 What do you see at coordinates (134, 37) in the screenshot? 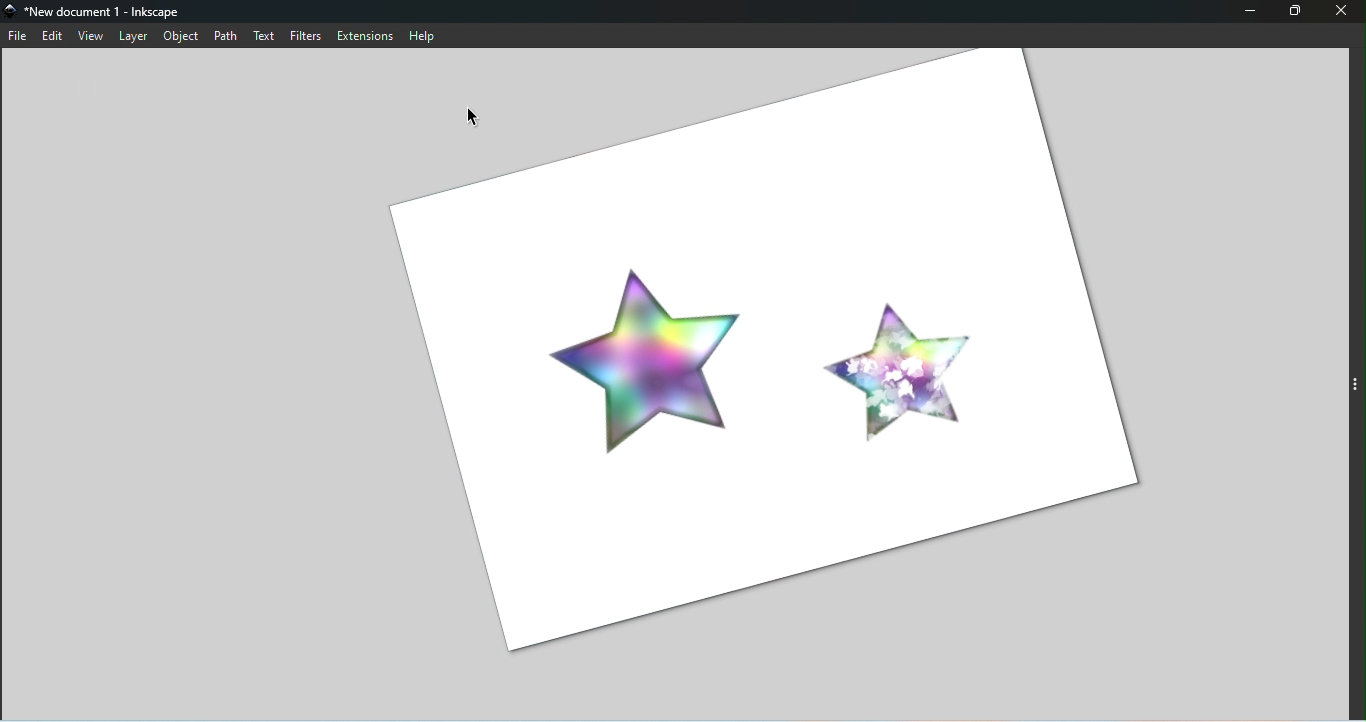
I see `Layer` at bounding box center [134, 37].